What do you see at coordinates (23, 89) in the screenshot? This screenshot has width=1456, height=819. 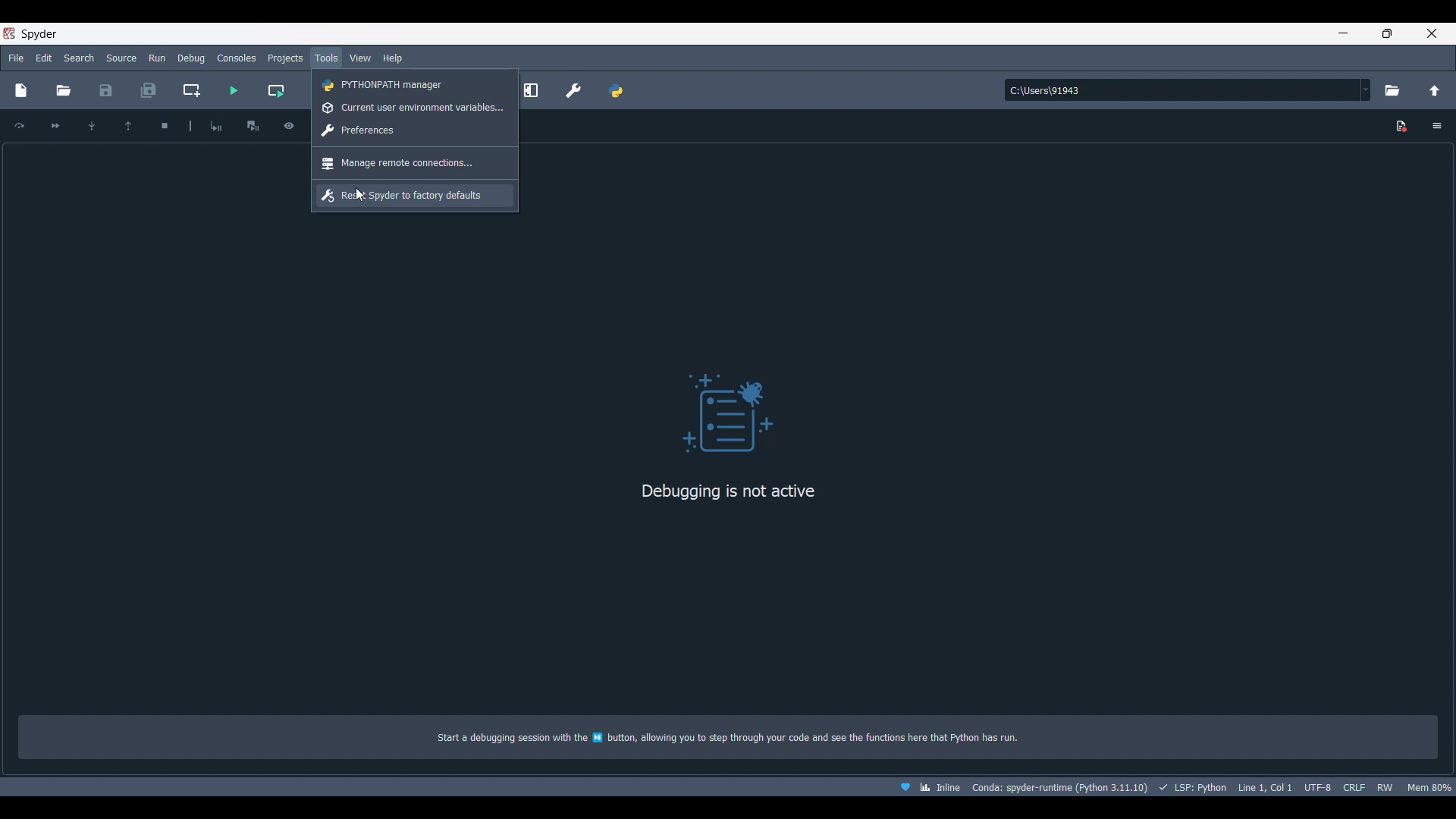 I see `New` at bounding box center [23, 89].